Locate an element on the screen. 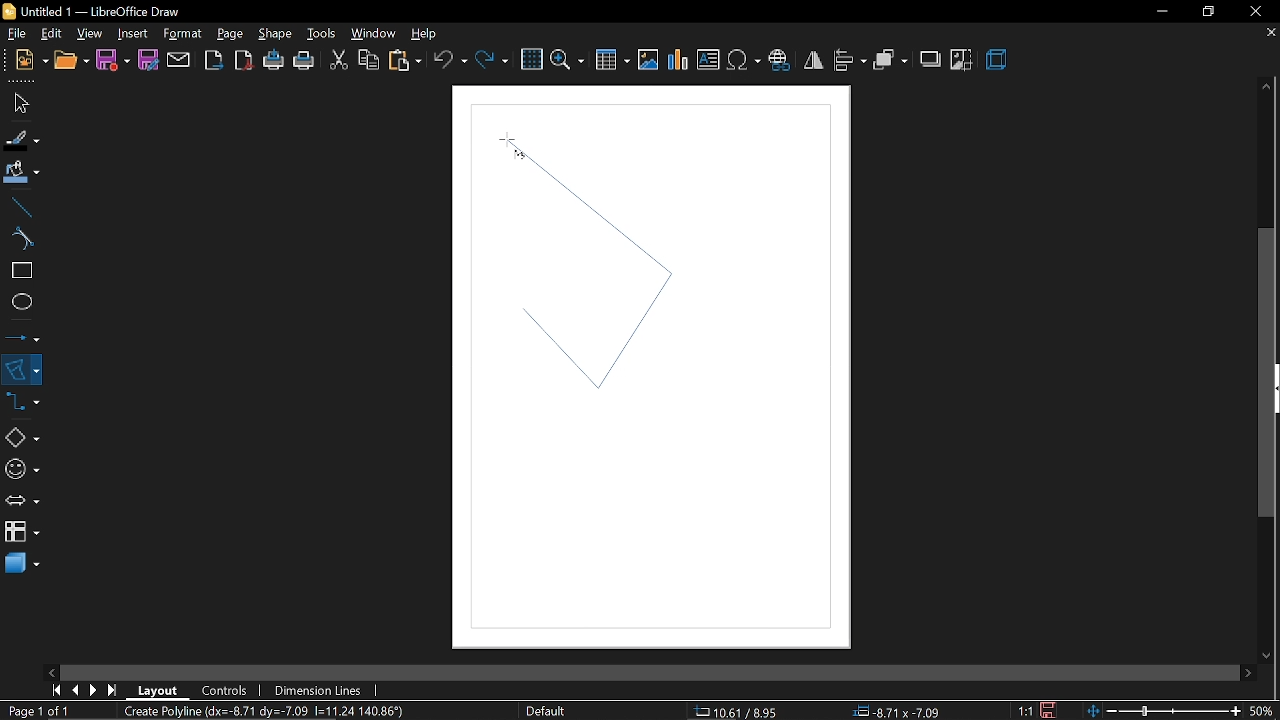  print is located at coordinates (305, 61).